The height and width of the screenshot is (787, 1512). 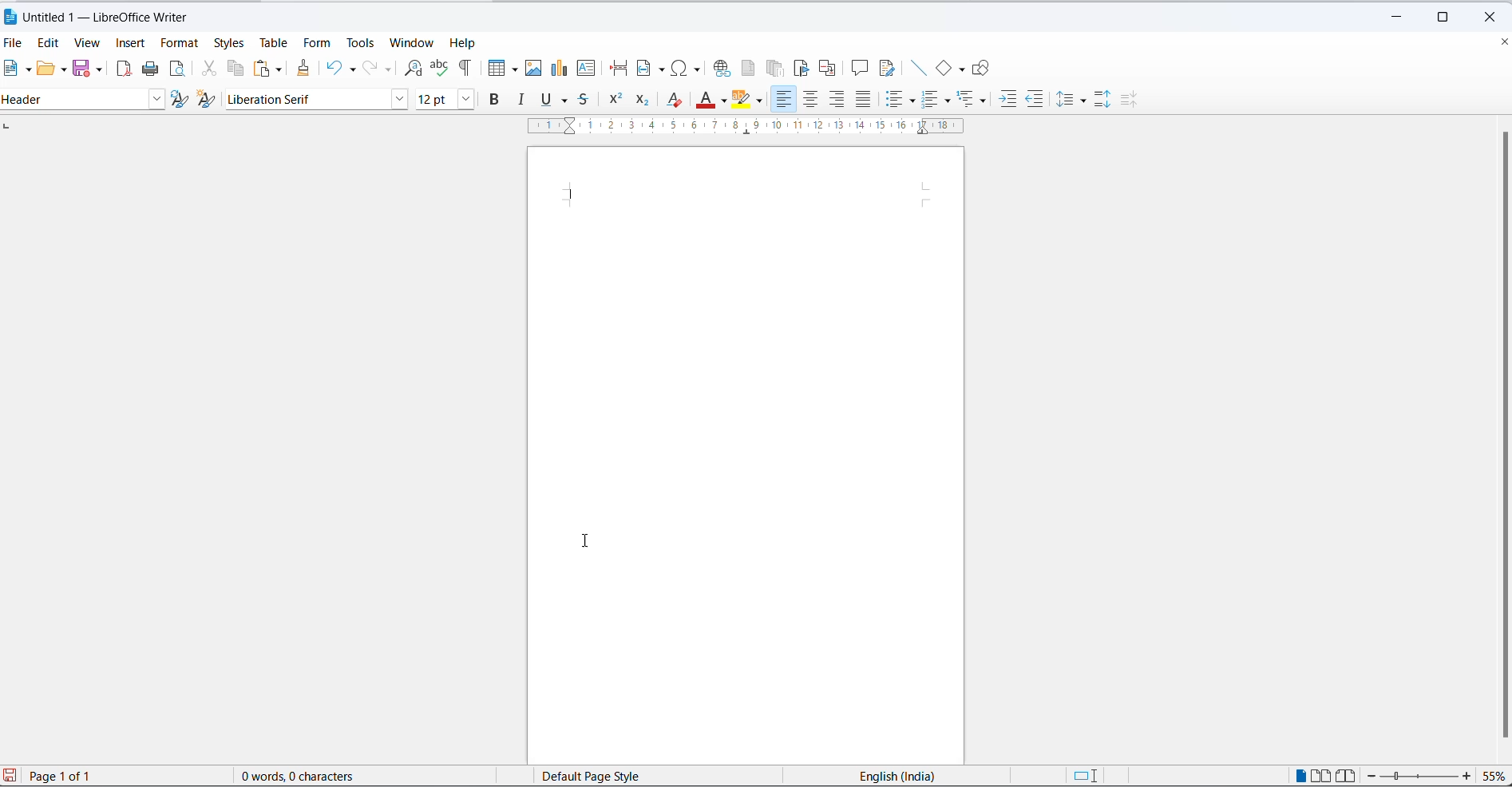 What do you see at coordinates (832, 68) in the screenshot?
I see `insert cross-reference` at bounding box center [832, 68].